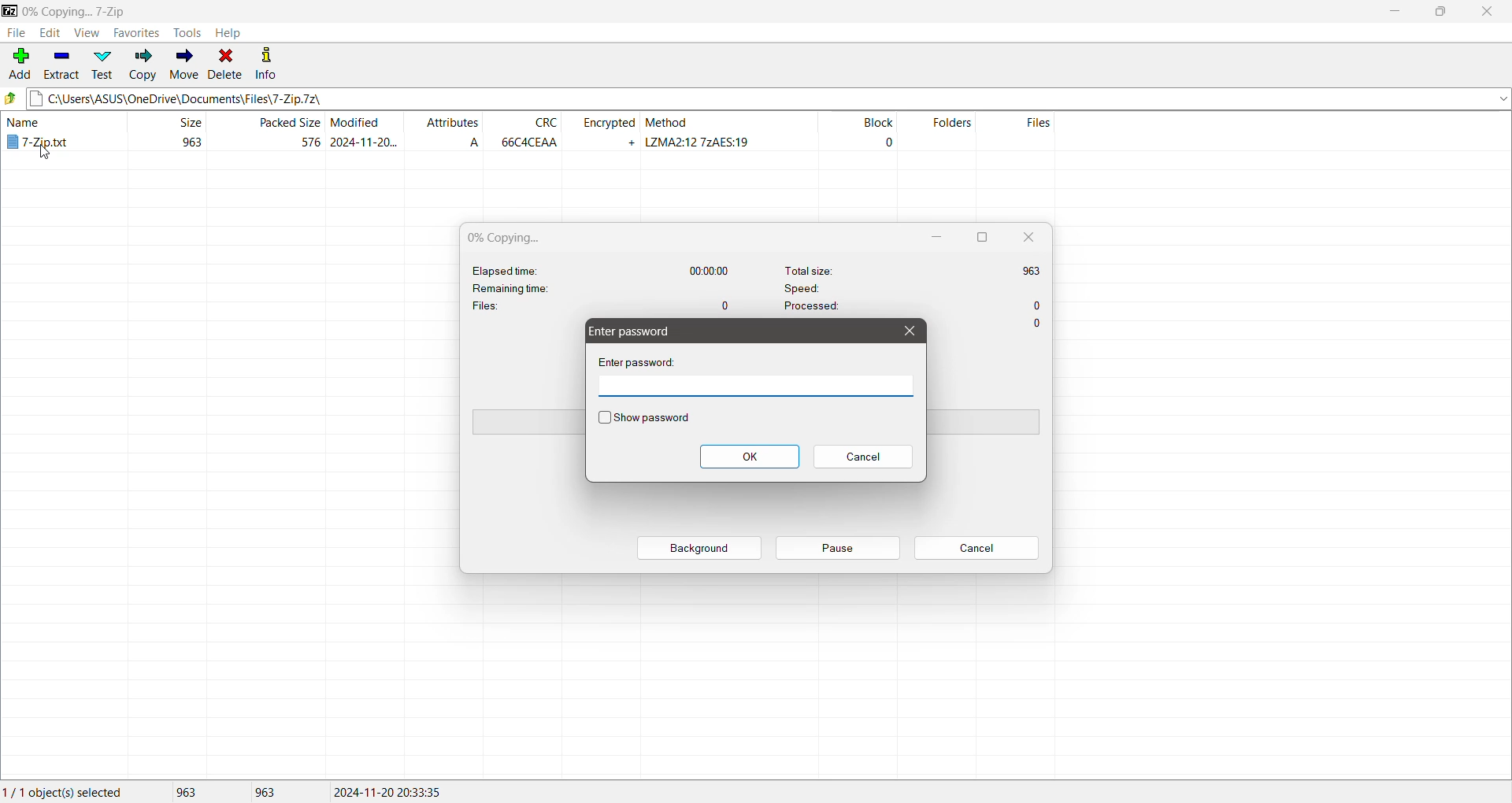 The width and height of the screenshot is (1512, 803). Describe the element at coordinates (1028, 237) in the screenshot. I see `Close` at that location.